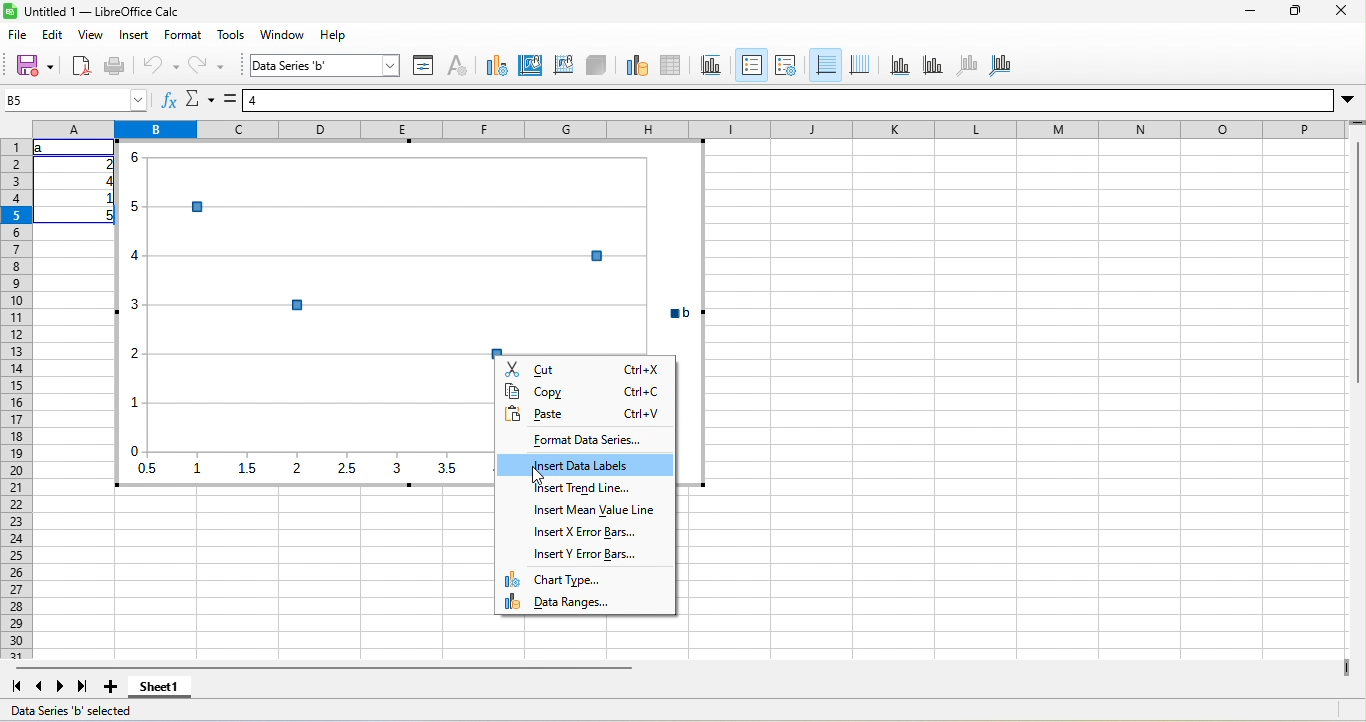 This screenshot has height=722, width=1366. I want to click on Software logo, so click(10, 11).